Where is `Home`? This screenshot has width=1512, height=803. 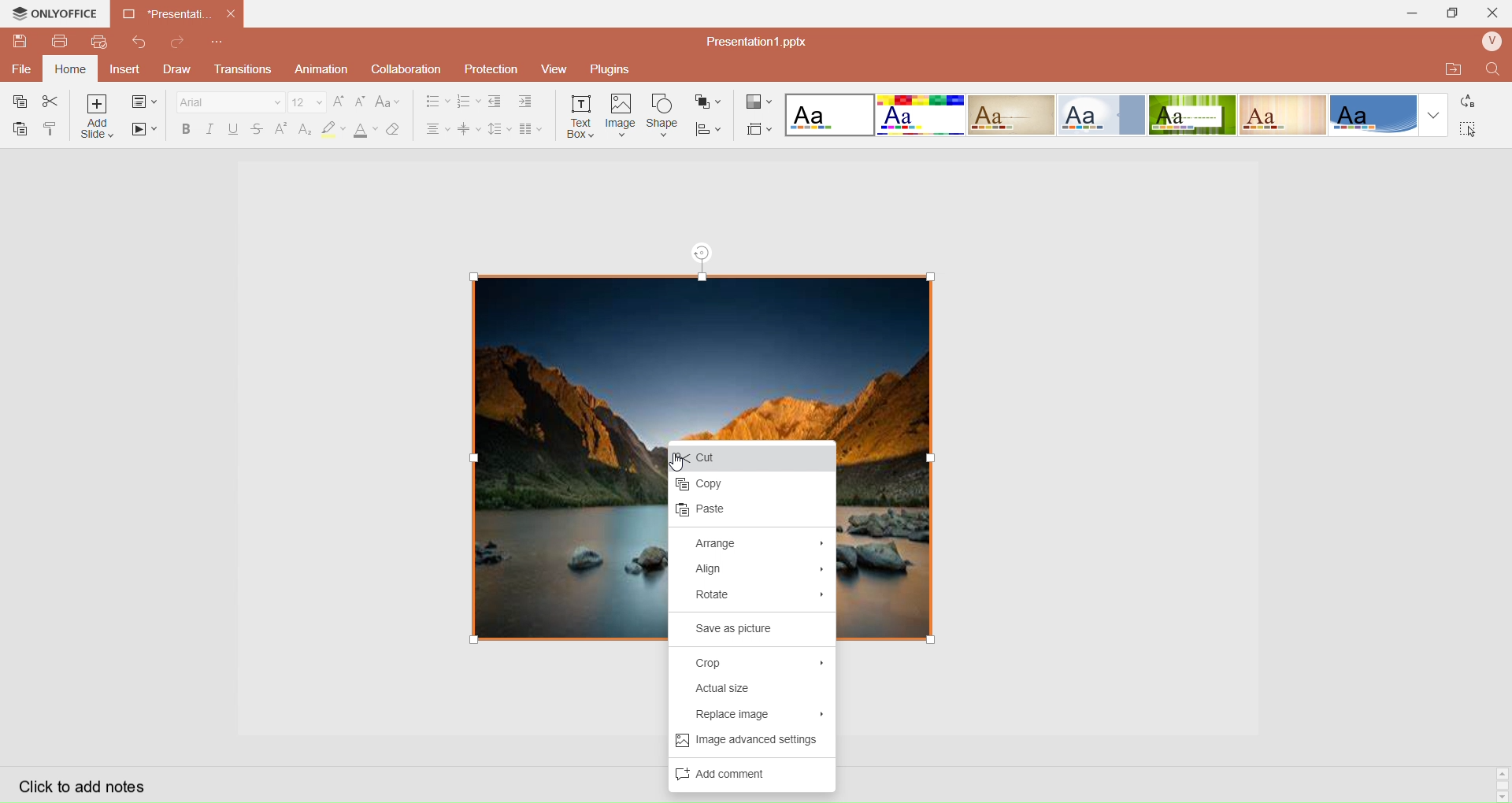
Home is located at coordinates (71, 70).